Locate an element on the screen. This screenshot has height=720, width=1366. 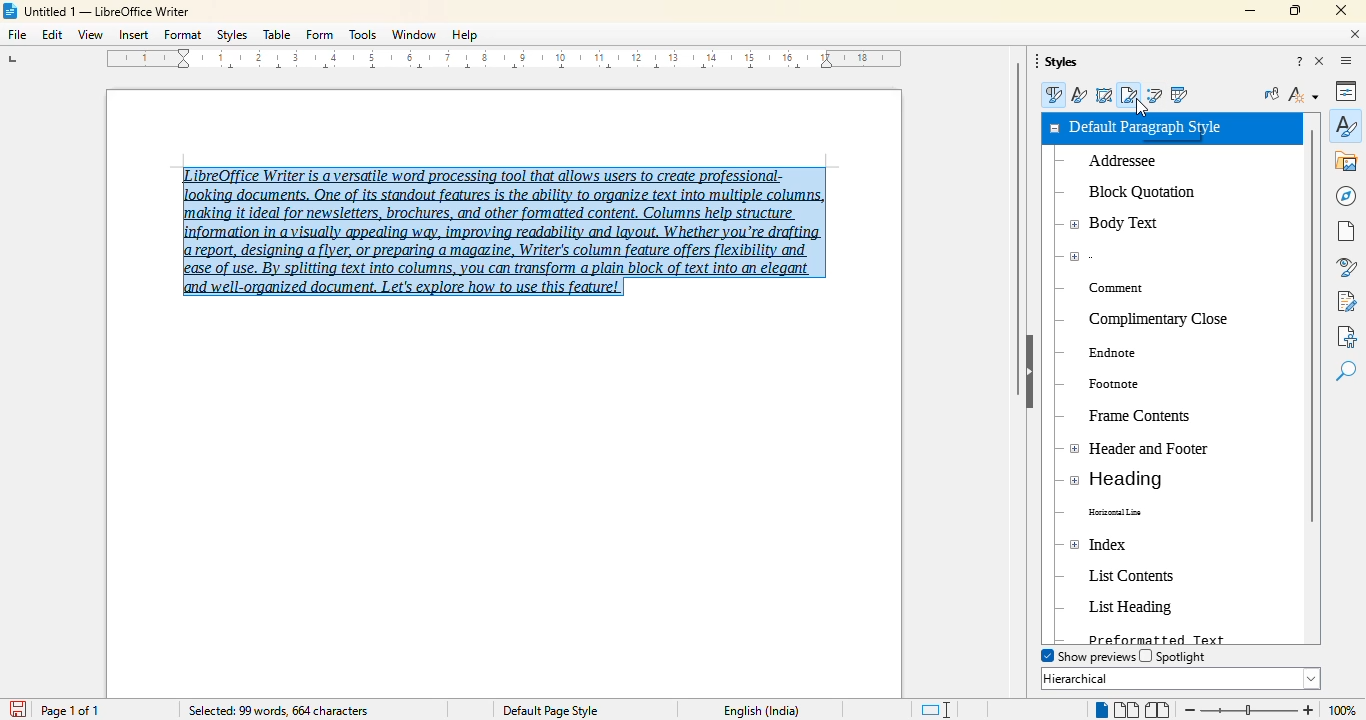
sidebar settings is located at coordinates (1346, 61).